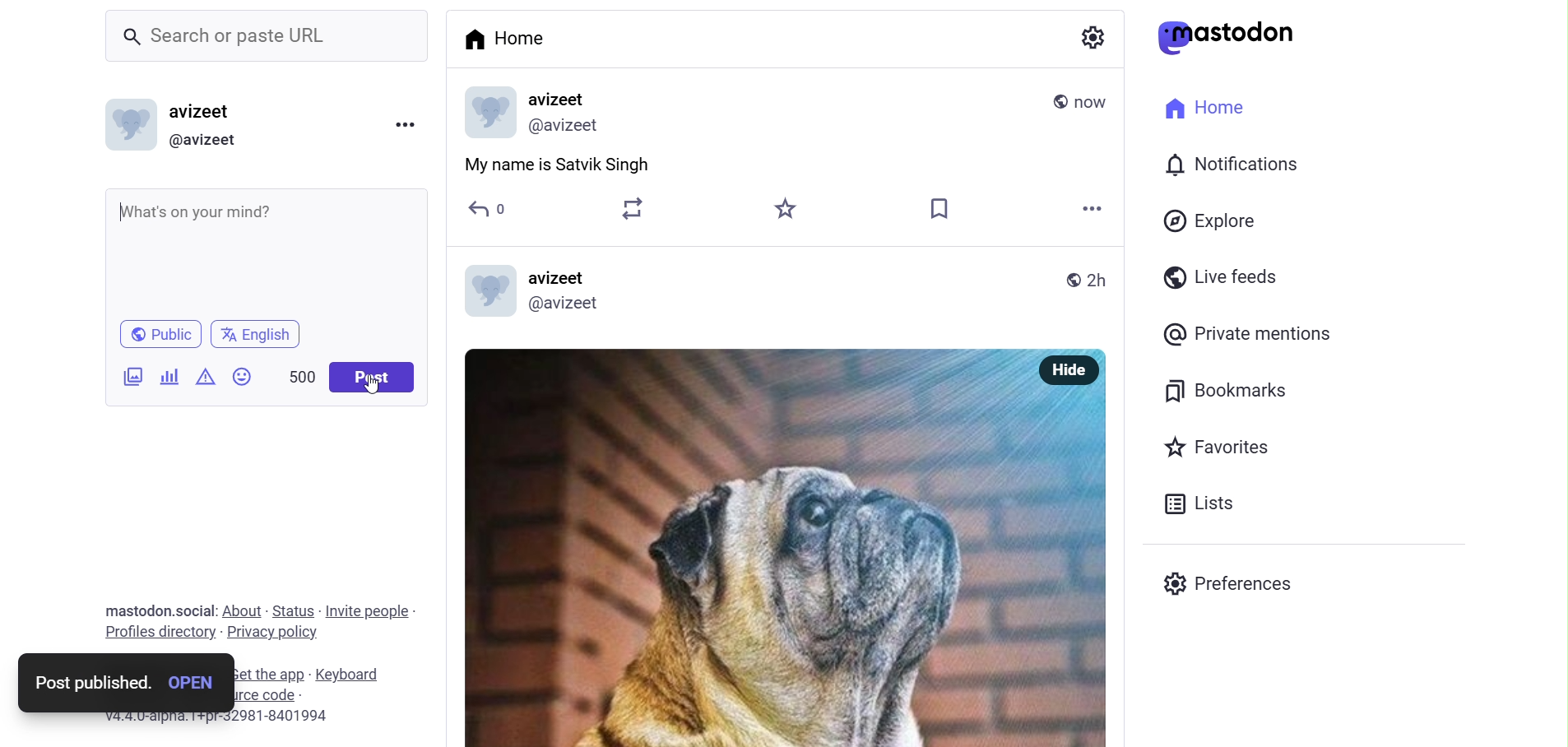 This screenshot has width=1568, height=747. Describe the element at coordinates (1236, 42) in the screenshot. I see `@astodon` at that location.